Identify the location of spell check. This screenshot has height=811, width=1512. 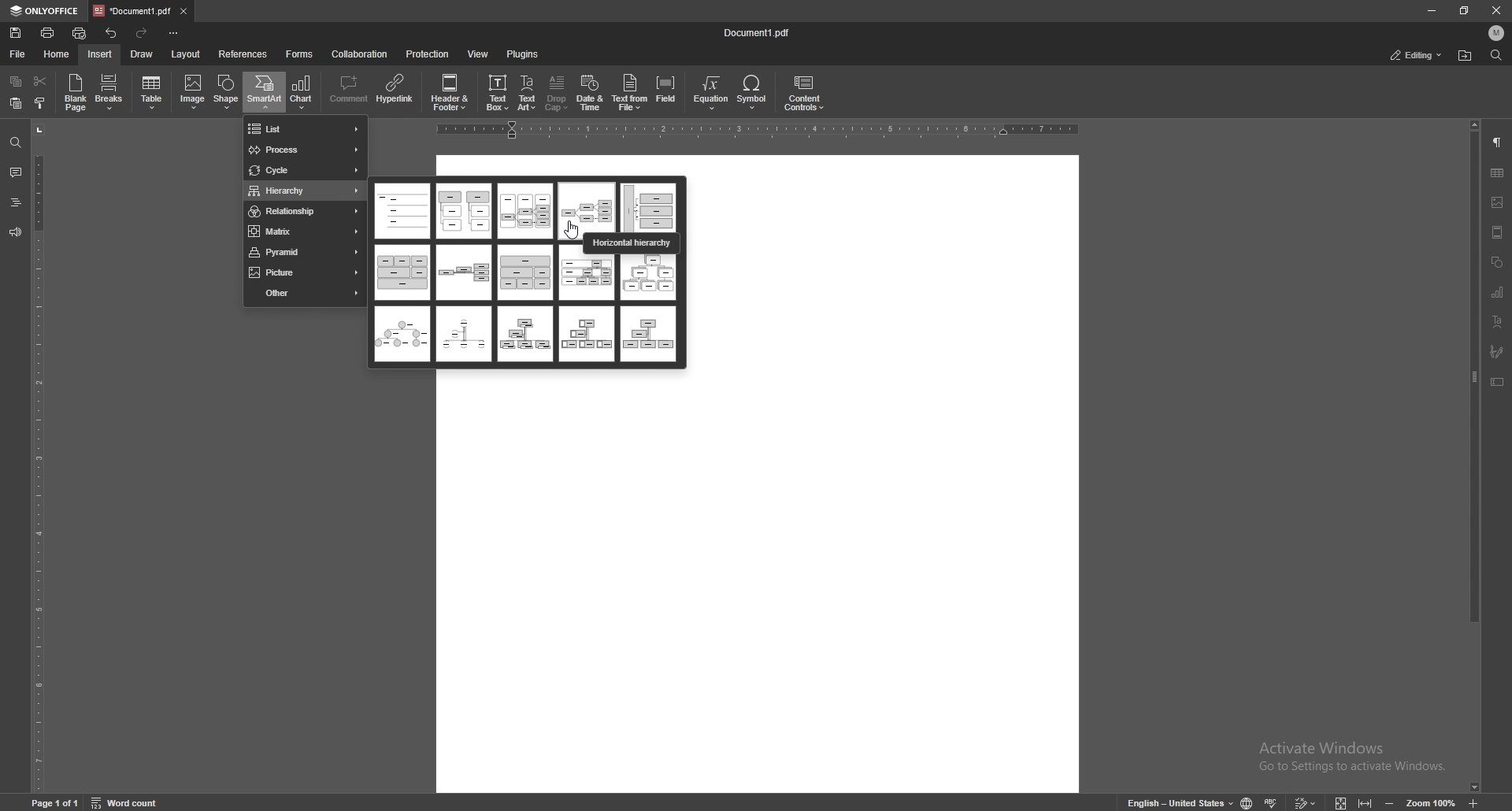
(1272, 802).